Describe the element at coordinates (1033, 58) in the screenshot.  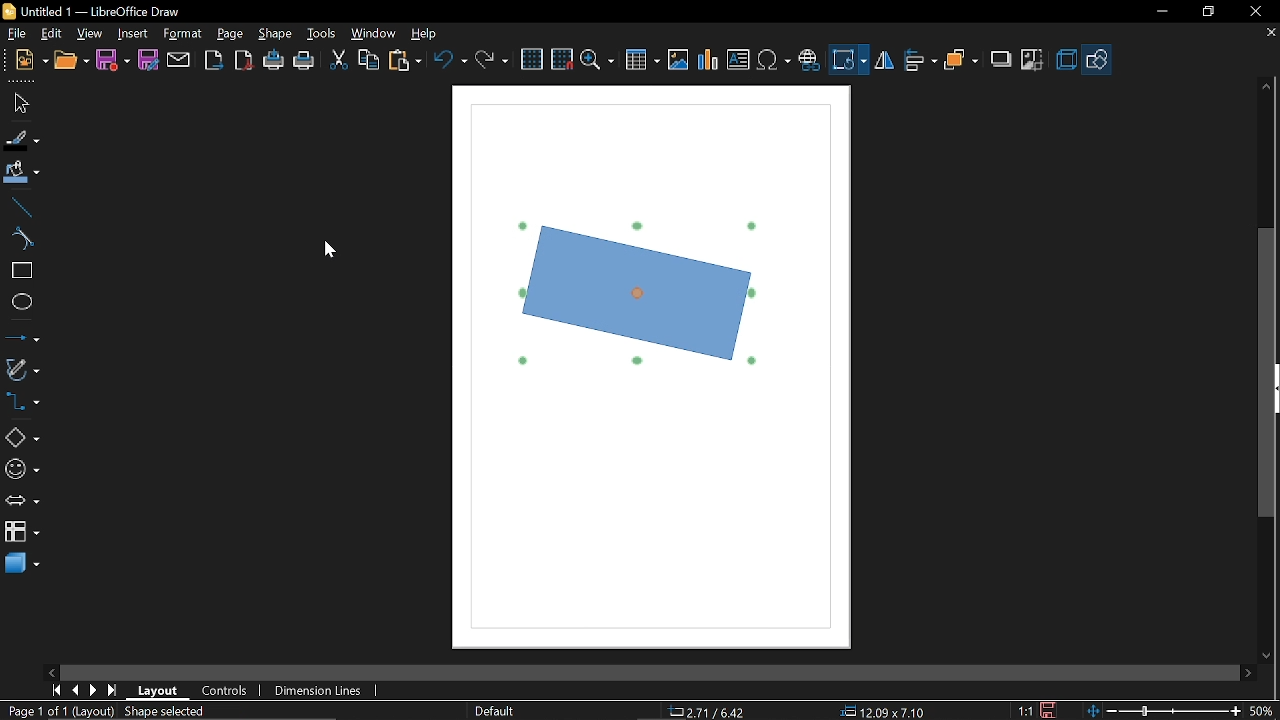
I see `crop` at that location.